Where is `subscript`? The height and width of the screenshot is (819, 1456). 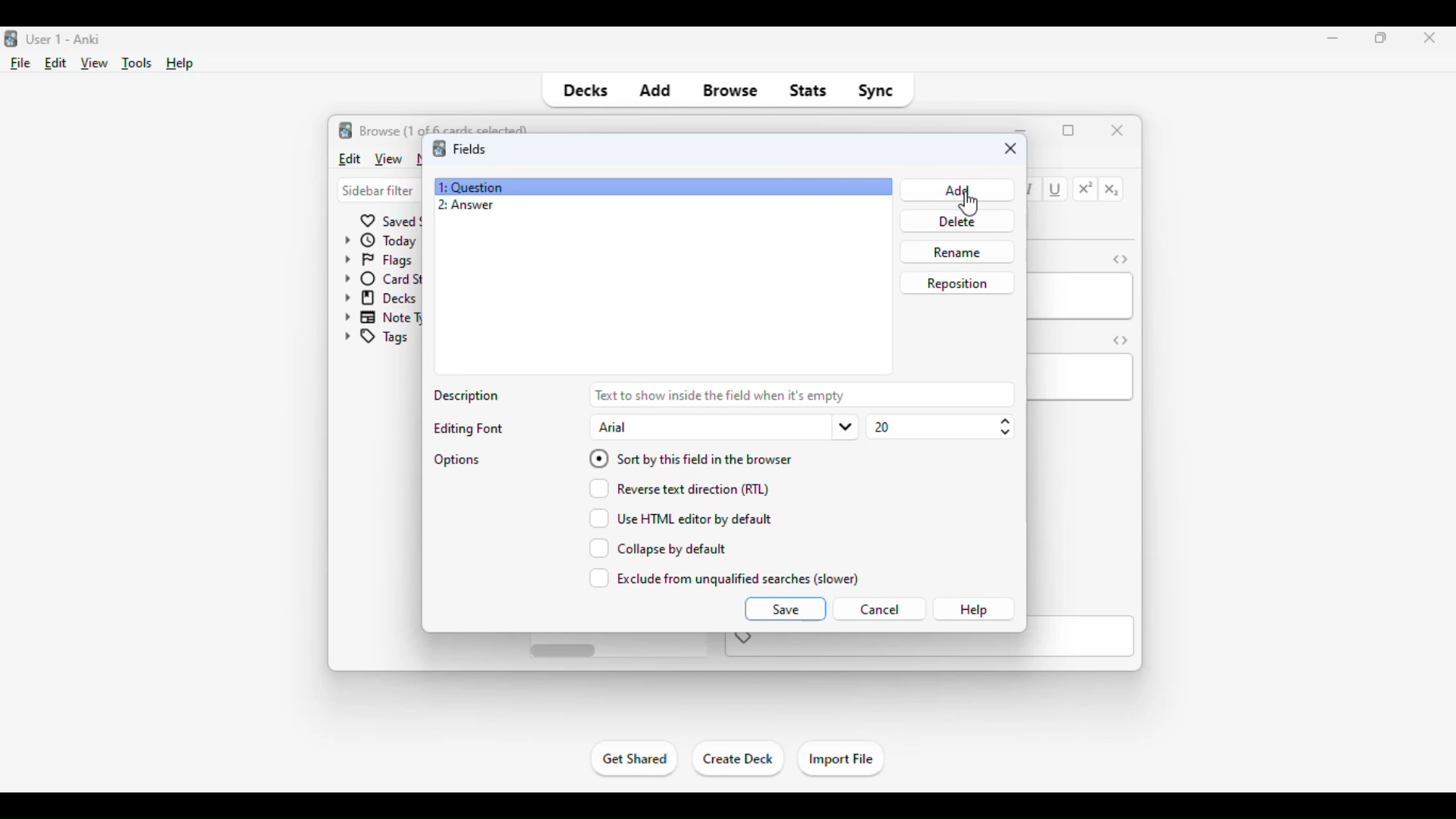 subscript is located at coordinates (1112, 190).